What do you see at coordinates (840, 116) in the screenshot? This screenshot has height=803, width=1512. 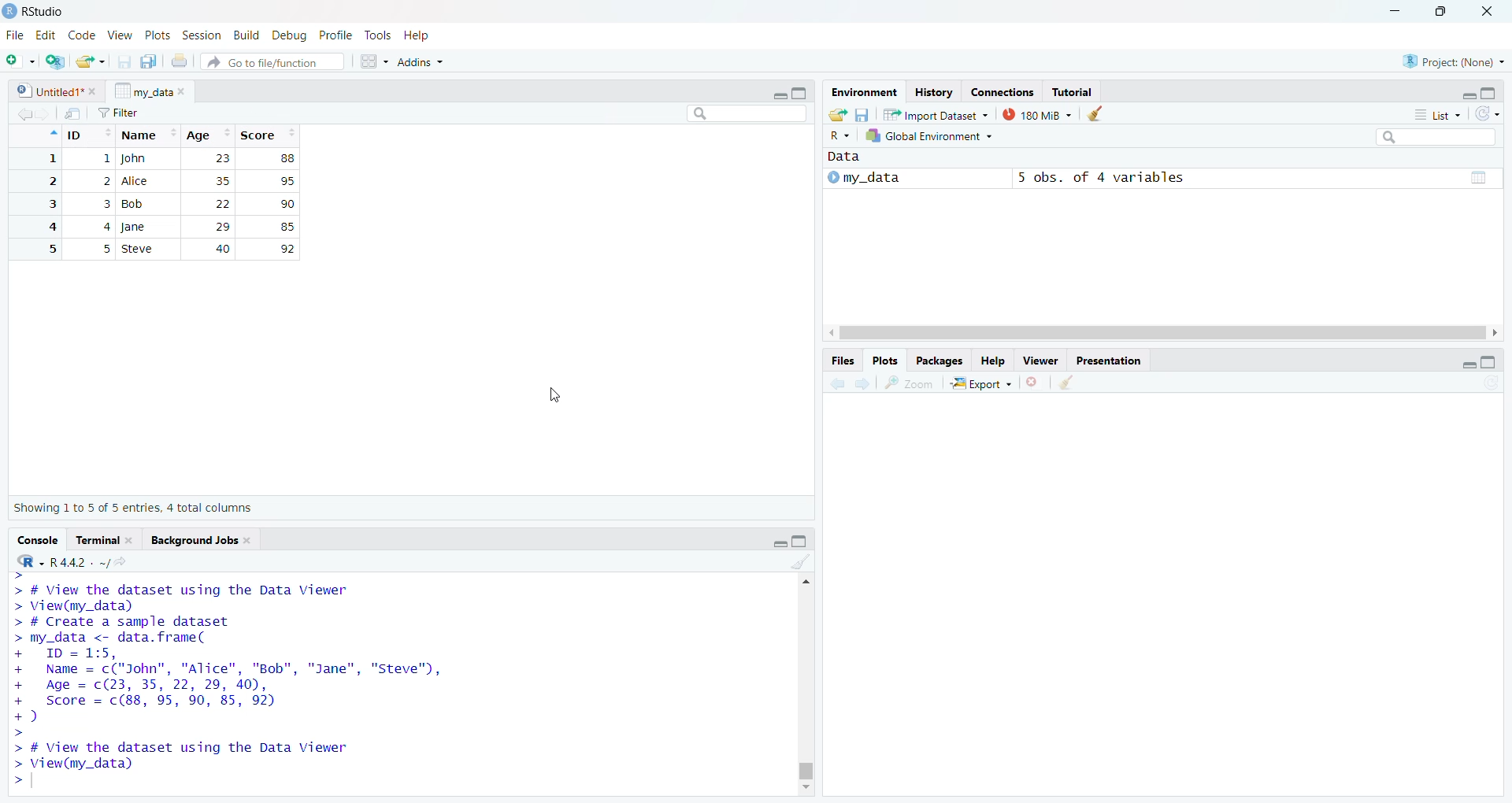 I see `Load workspace` at bounding box center [840, 116].